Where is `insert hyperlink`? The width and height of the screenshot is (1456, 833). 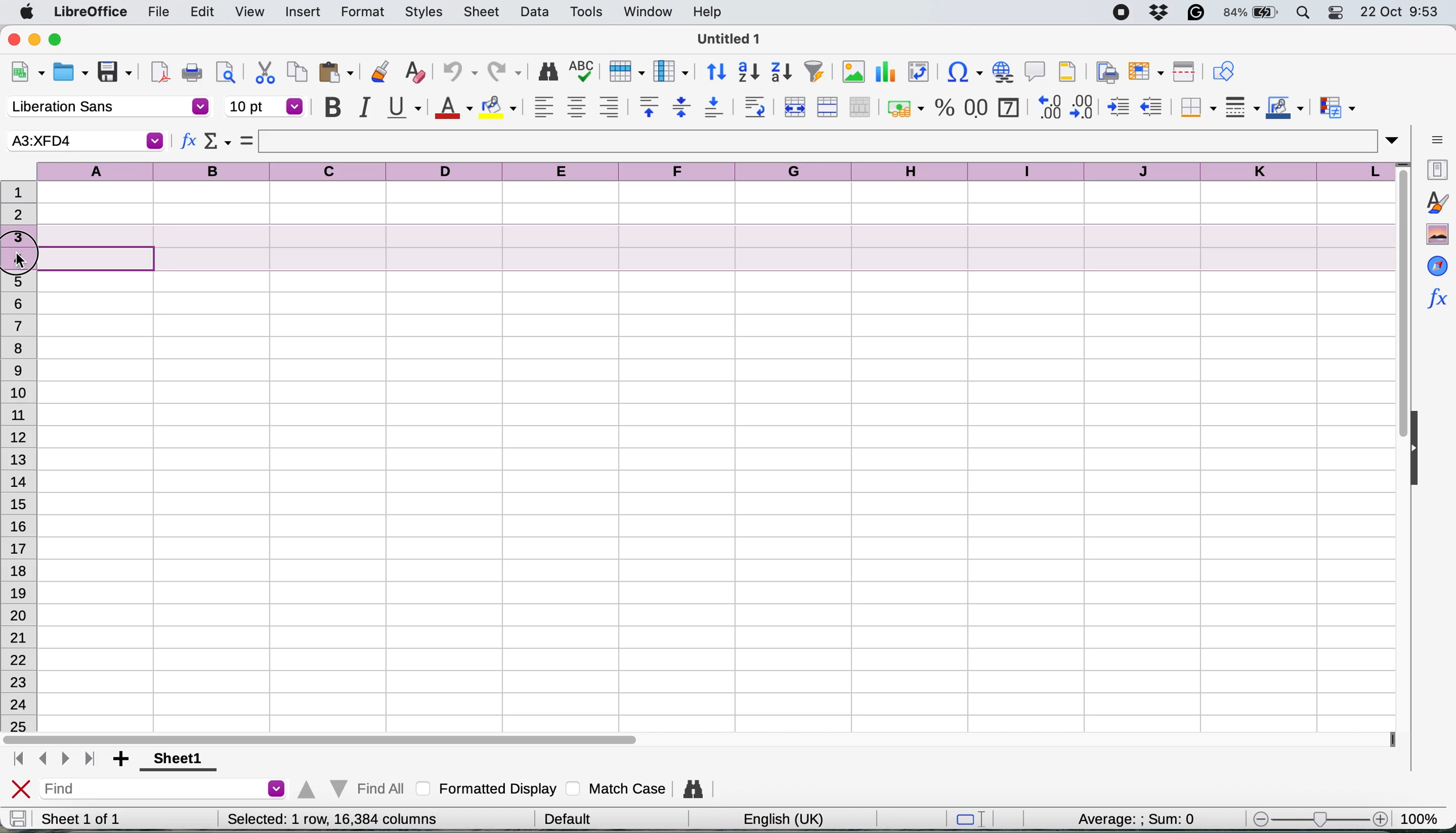 insert hyperlink is located at coordinates (1001, 71).